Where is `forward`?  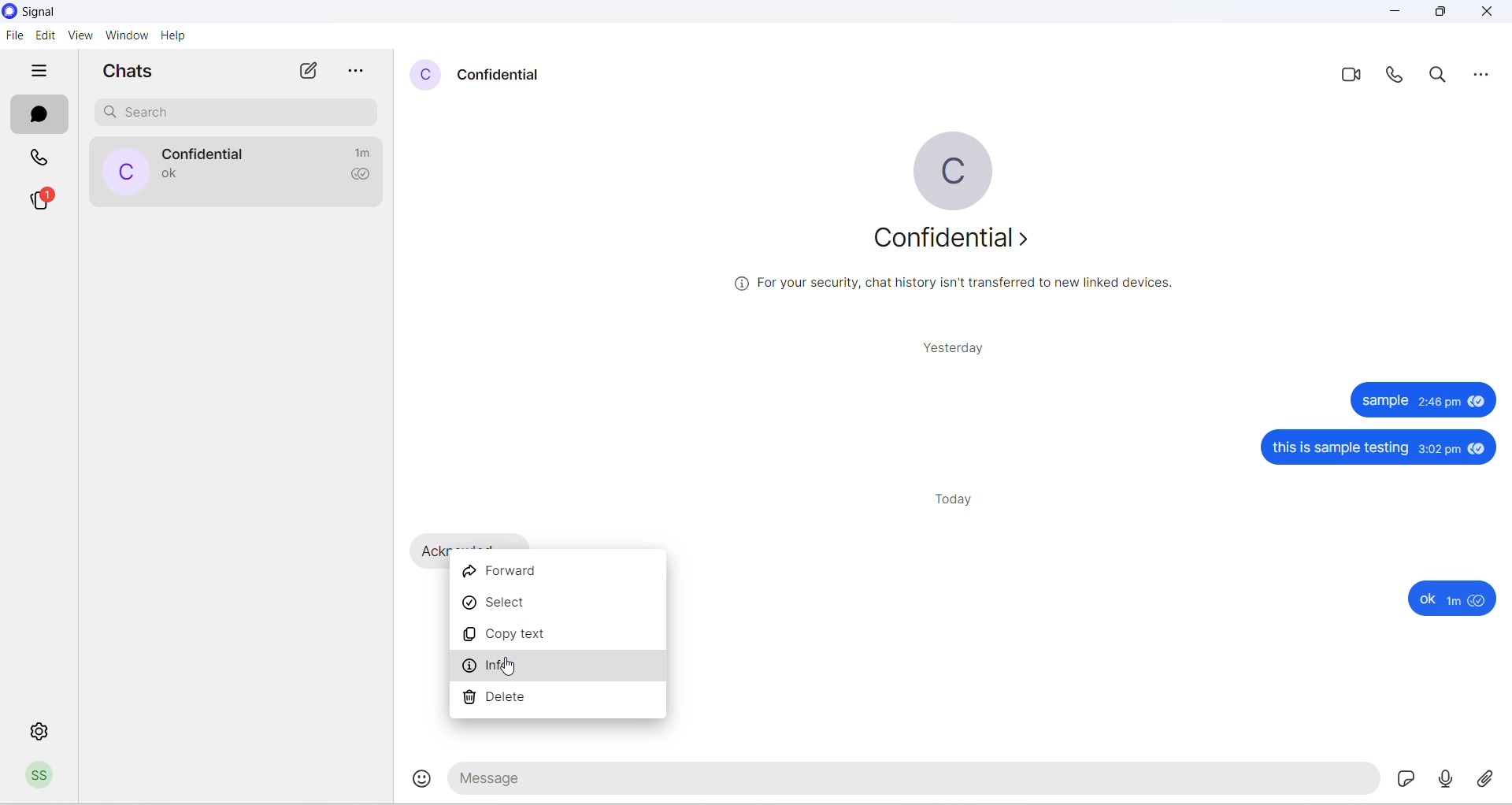 forward is located at coordinates (561, 569).